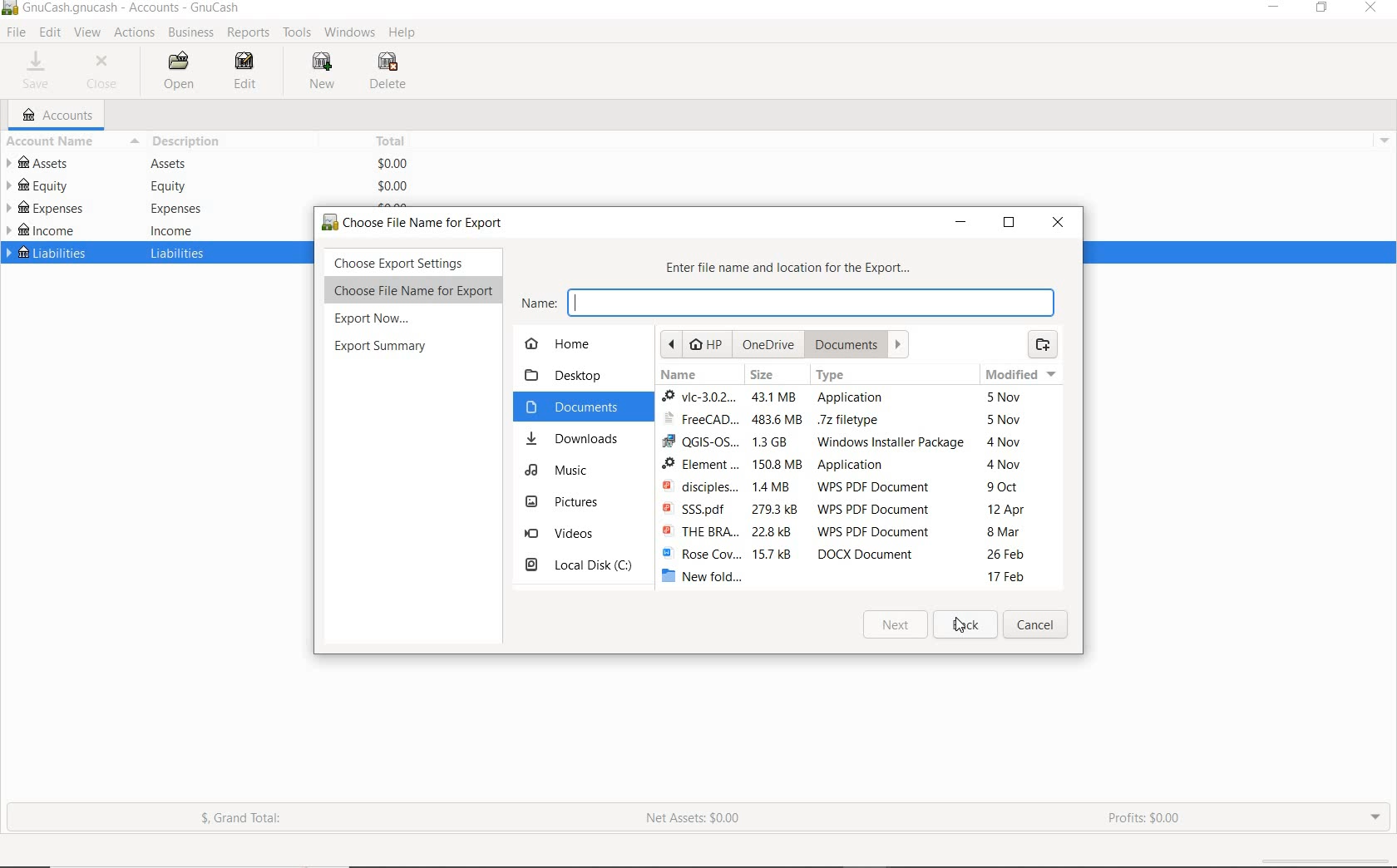  What do you see at coordinates (1037, 624) in the screenshot?
I see `Cancel` at bounding box center [1037, 624].